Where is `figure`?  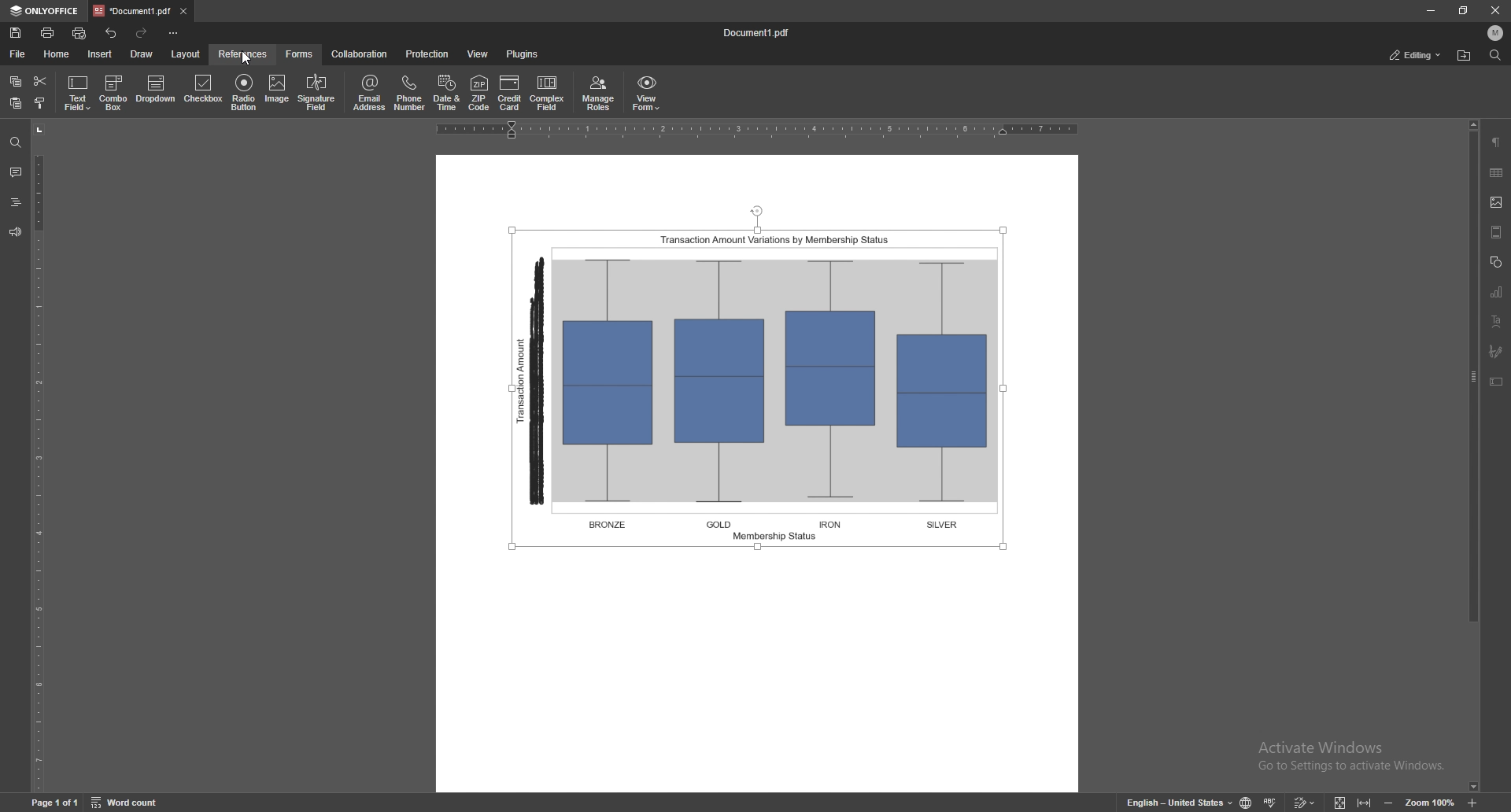
figure is located at coordinates (763, 381).